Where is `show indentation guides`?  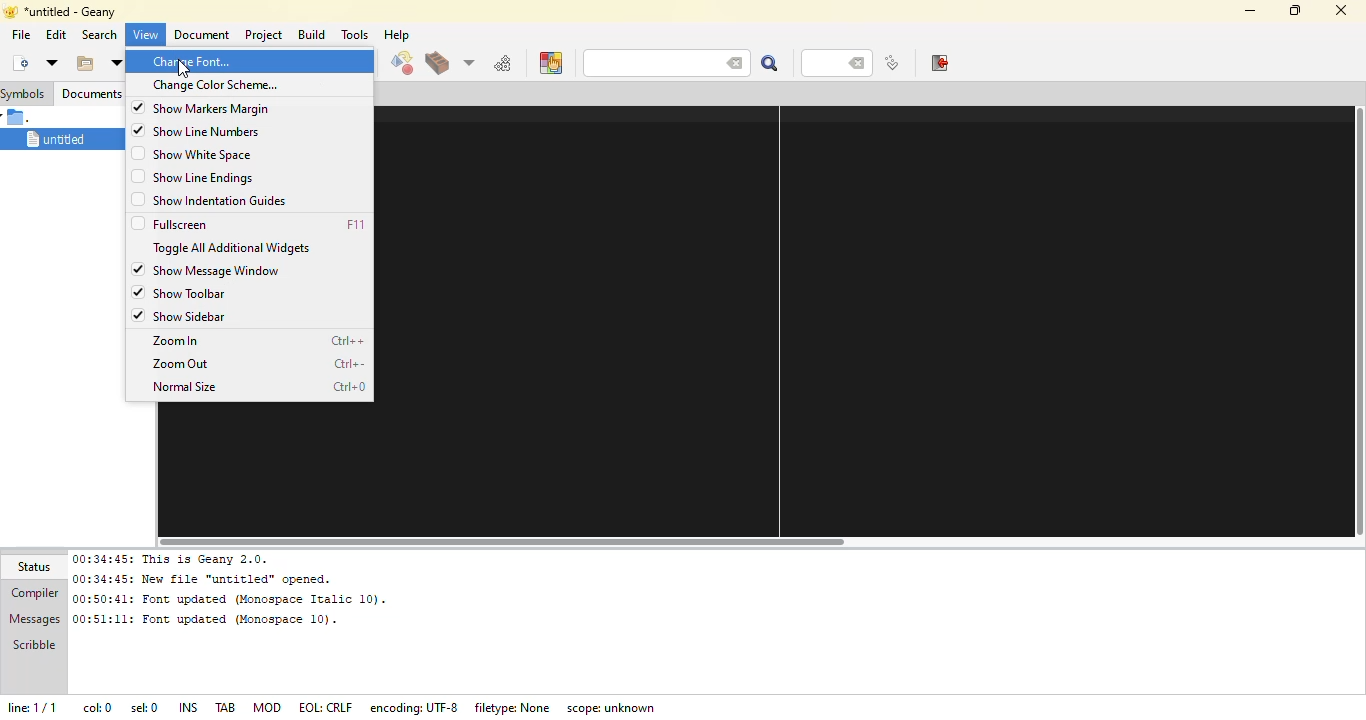
show indentation guides is located at coordinates (224, 201).